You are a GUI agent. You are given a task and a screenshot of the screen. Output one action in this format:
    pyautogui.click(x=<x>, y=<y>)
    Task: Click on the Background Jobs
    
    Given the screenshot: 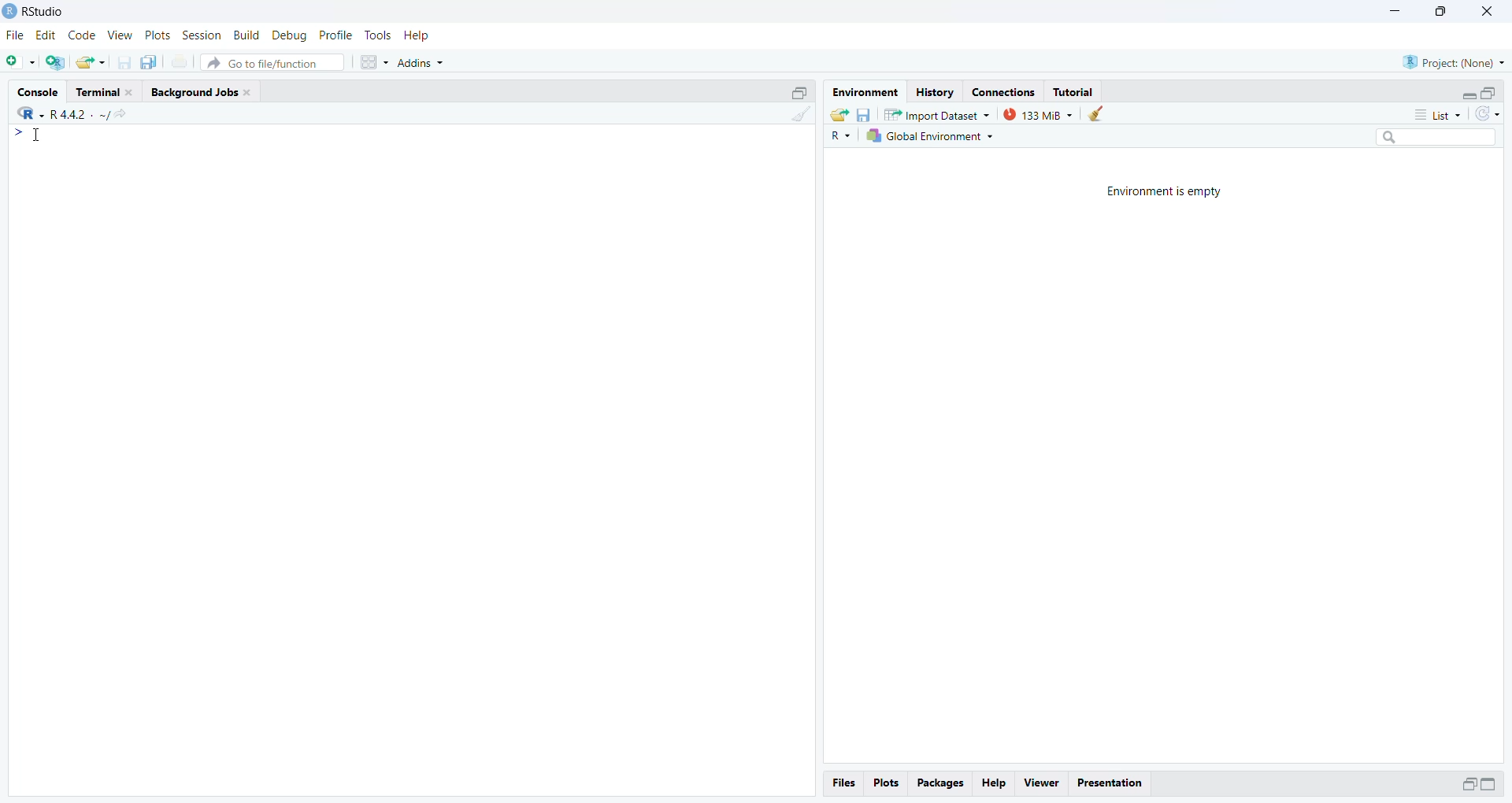 What is the action you would take?
    pyautogui.click(x=198, y=94)
    